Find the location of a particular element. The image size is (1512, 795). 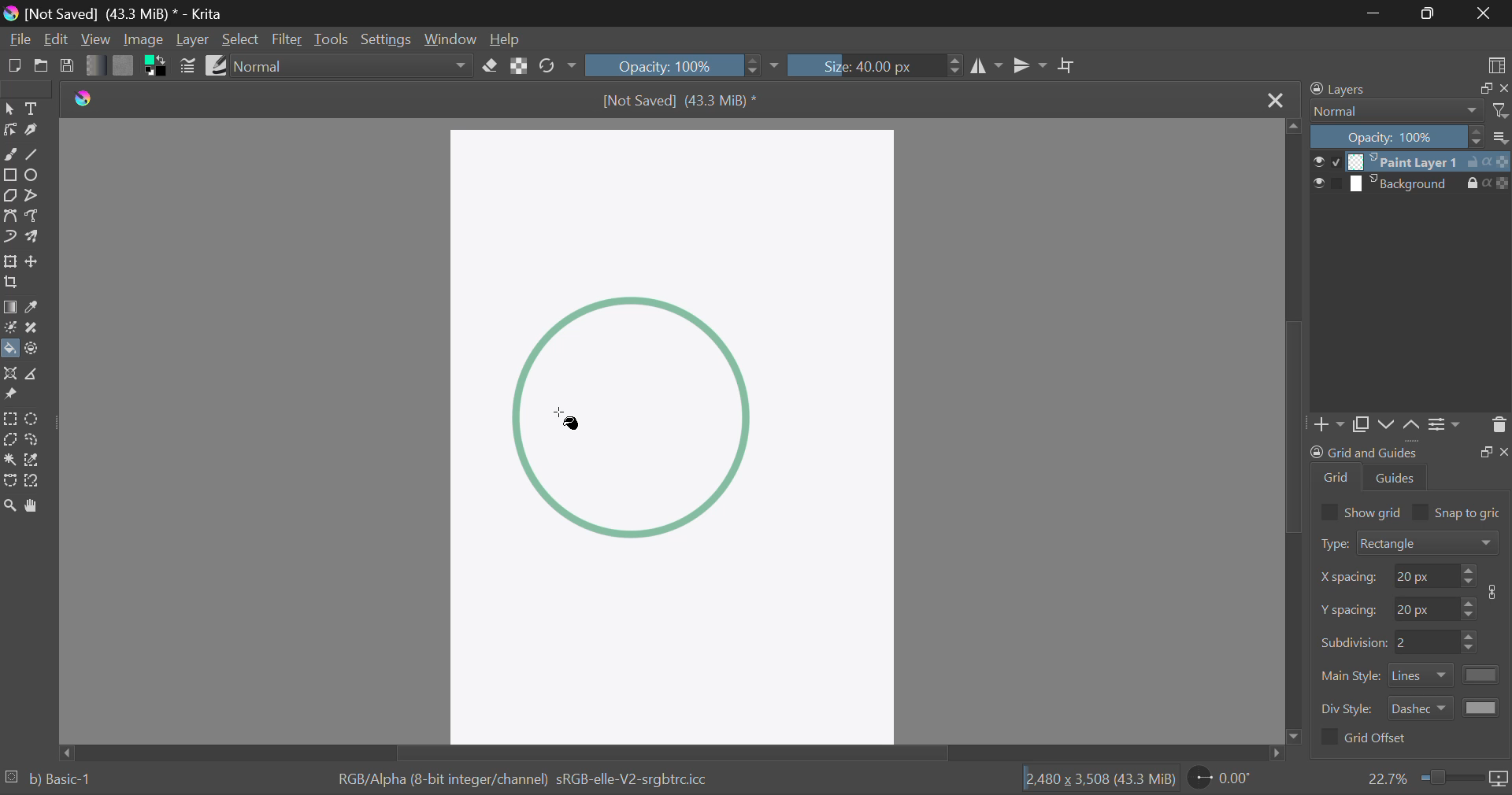

Color Information is located at coordinates (517, 781).